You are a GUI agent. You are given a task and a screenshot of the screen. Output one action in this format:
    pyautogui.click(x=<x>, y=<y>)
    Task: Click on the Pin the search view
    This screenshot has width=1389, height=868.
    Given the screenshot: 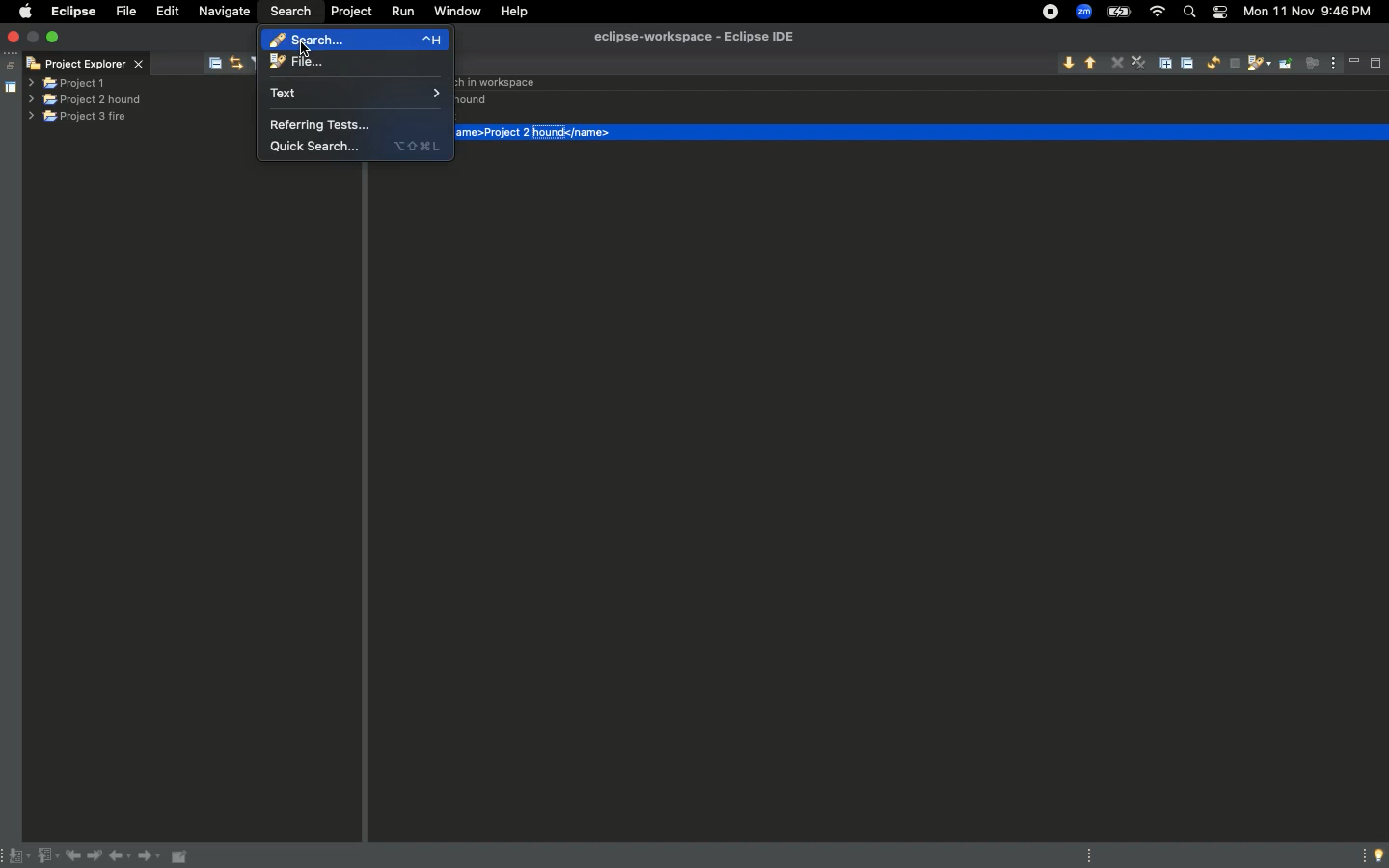 What is the action you would take?
    pyautogui.click(x=1286, y=70)
    